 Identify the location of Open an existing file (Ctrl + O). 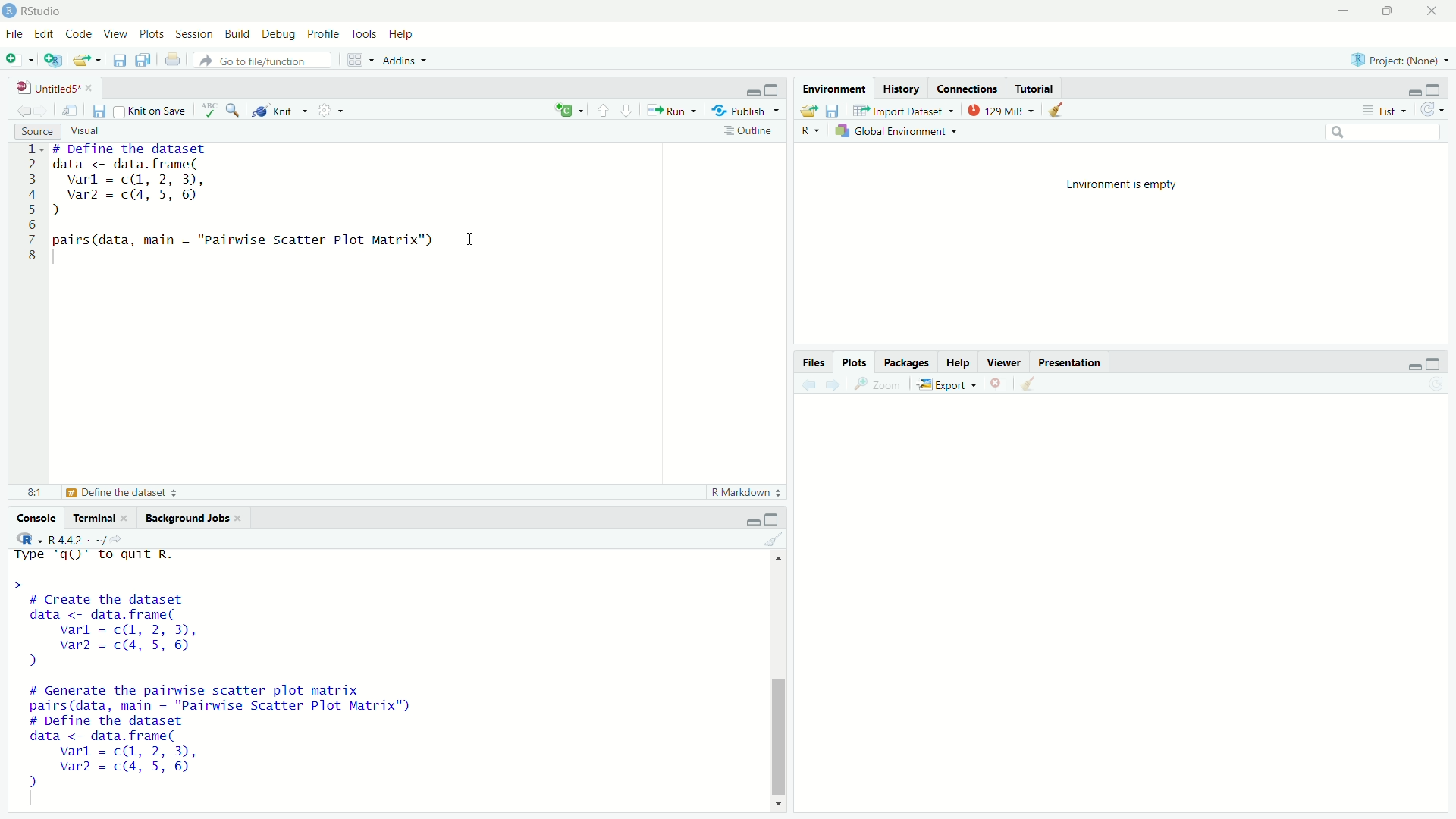
(88, 59).